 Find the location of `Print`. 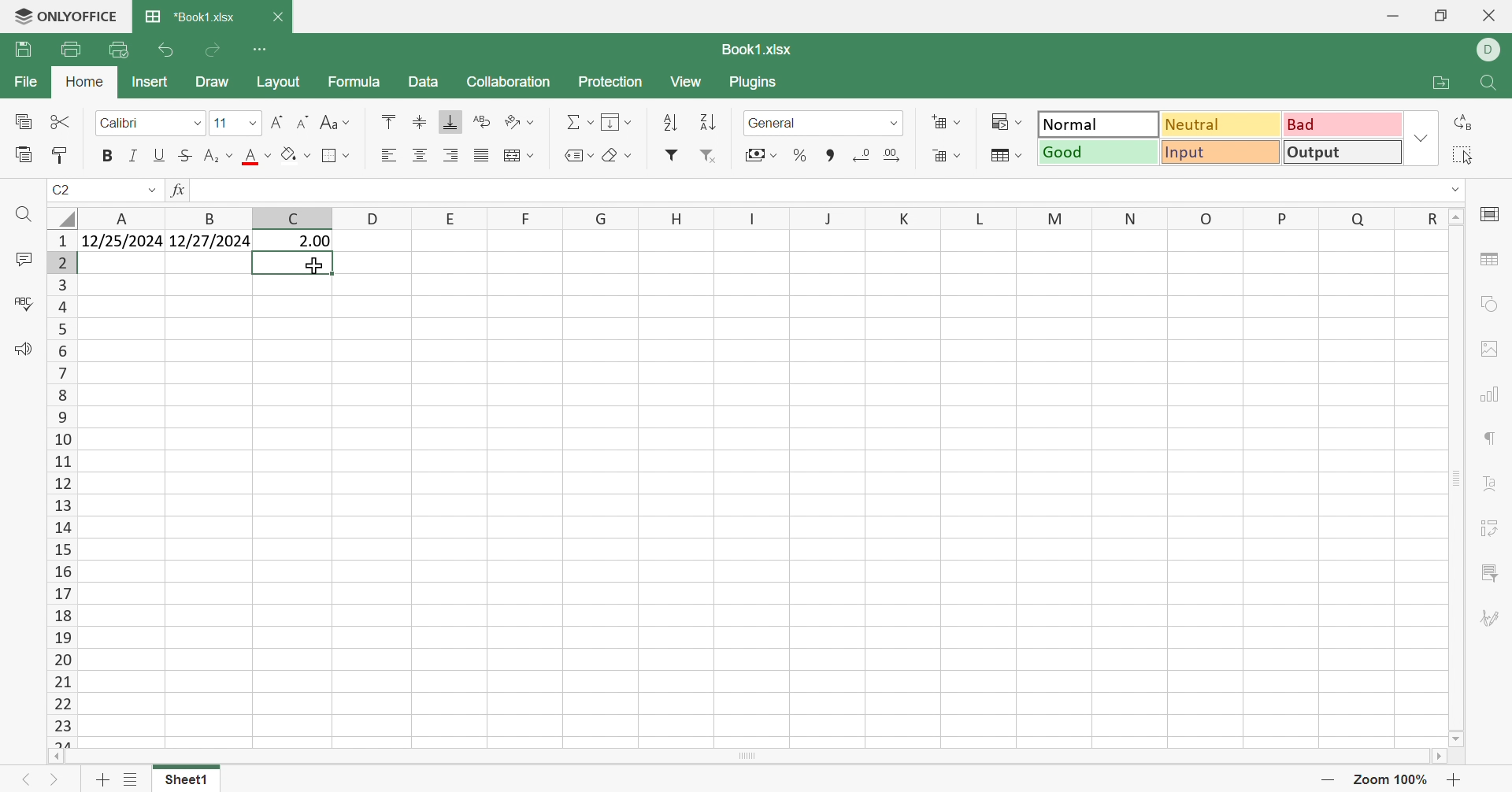

Print is located at coordinates (72, 50).